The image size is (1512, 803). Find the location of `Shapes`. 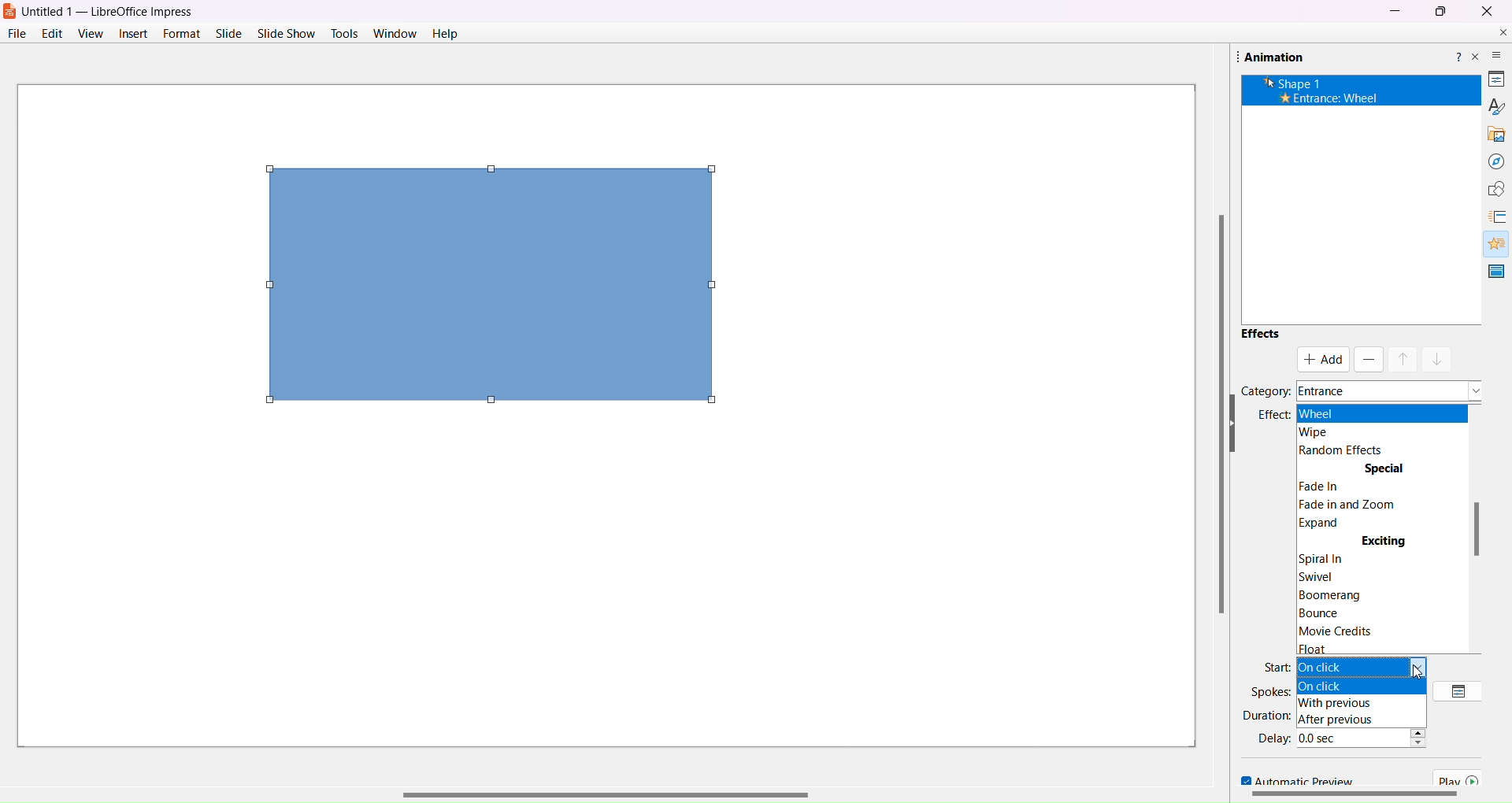

Shapes is located at coordinates (1491, 189).